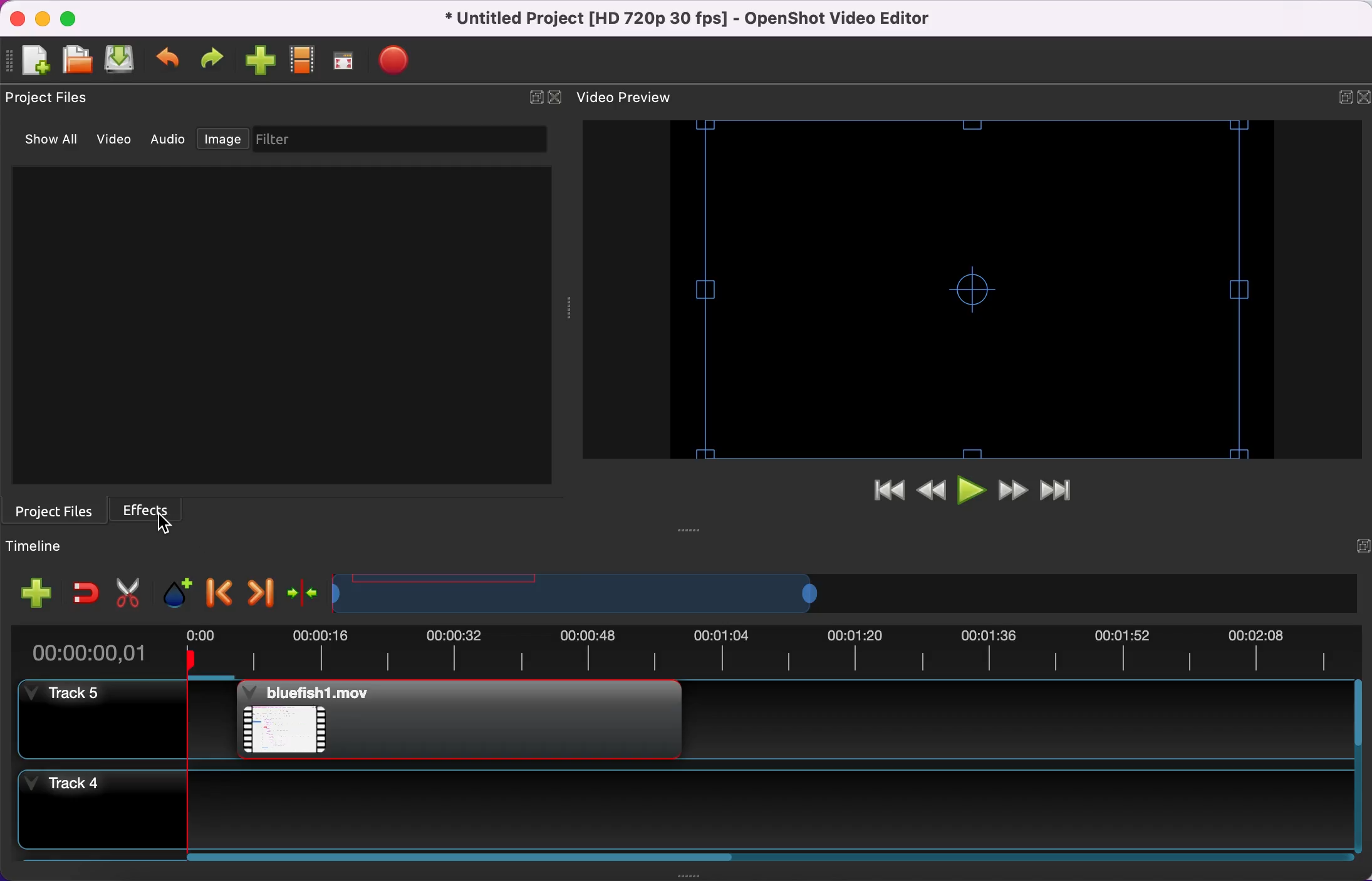  I want to click on expand/hide, so click(536, 102).